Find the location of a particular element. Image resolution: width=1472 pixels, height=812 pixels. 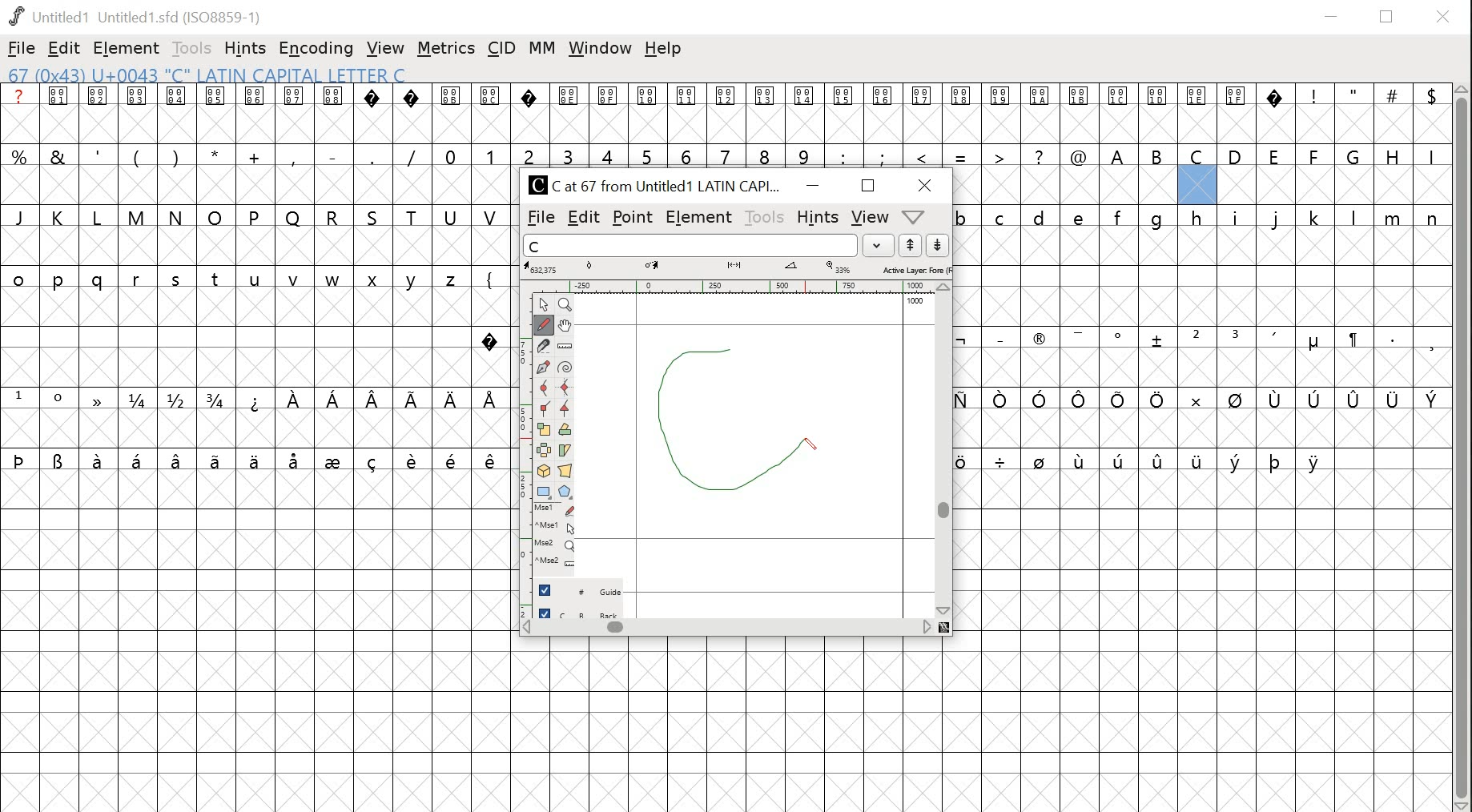

metrics is located at coordinates (445, 48).